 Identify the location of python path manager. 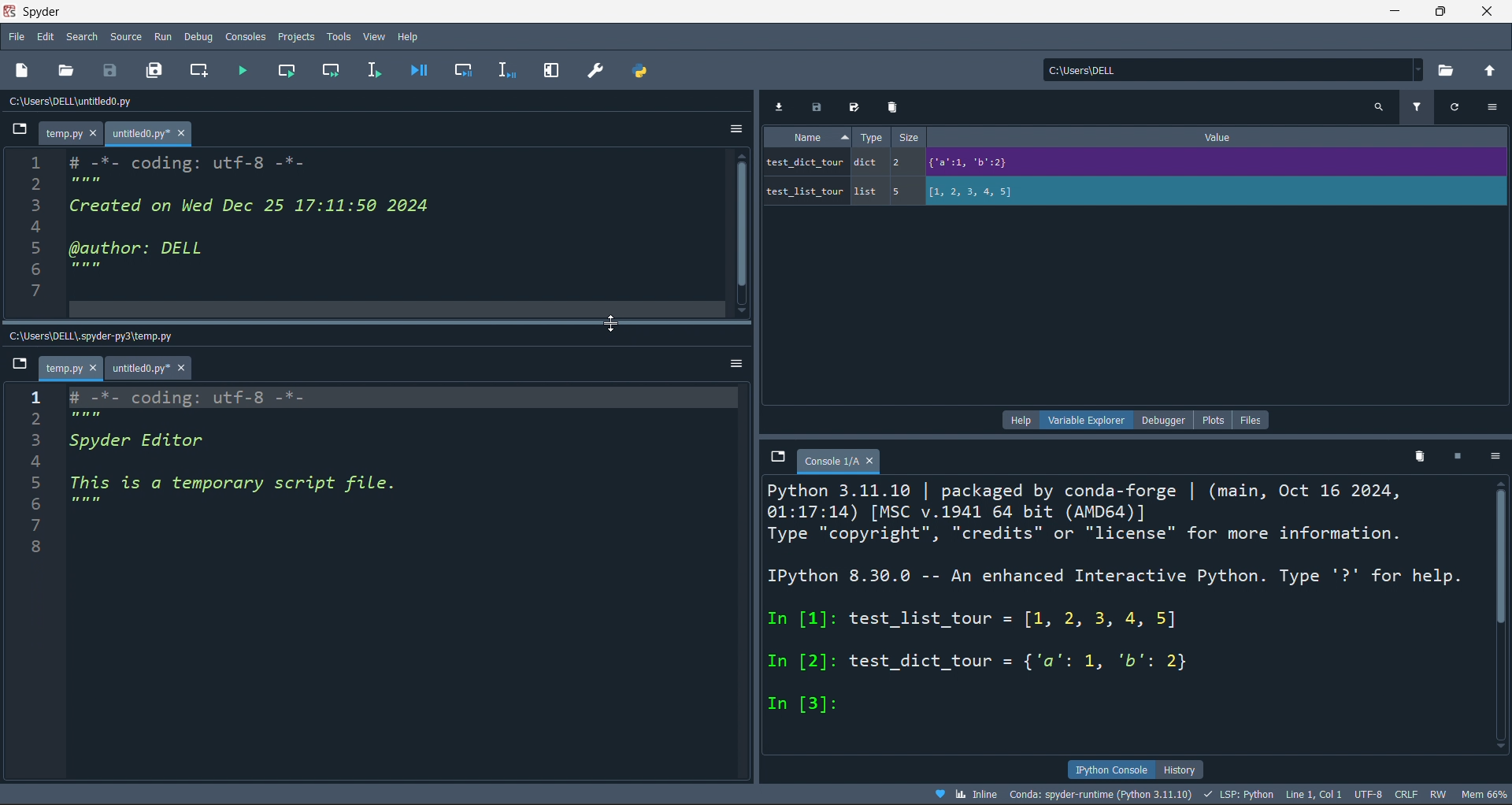
(637, 71).